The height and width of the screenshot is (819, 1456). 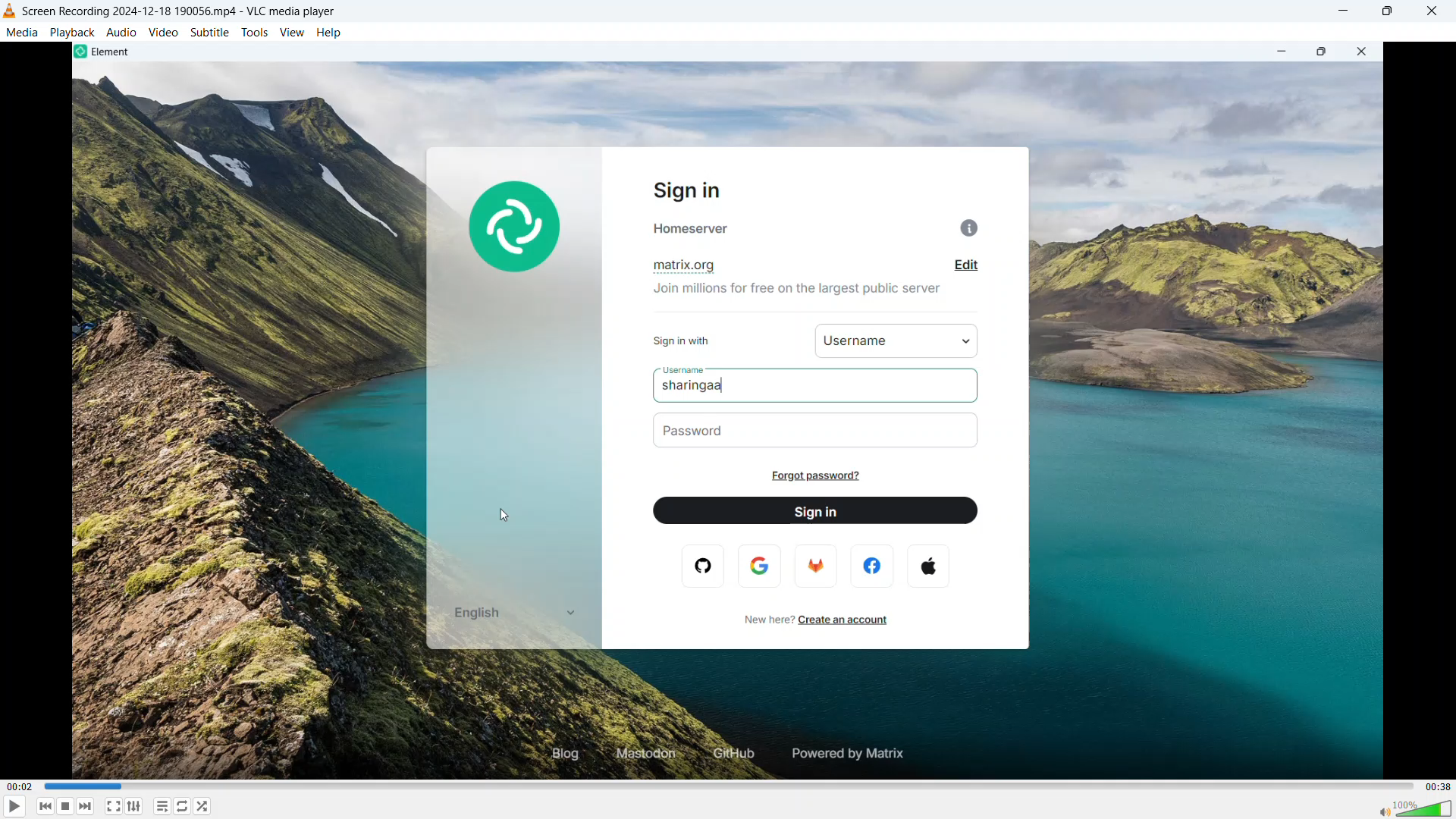 What do you see at coordinates (1416, 808) in the screenshot?
I see `Sound bar ` at bounding box center [1416, 808].